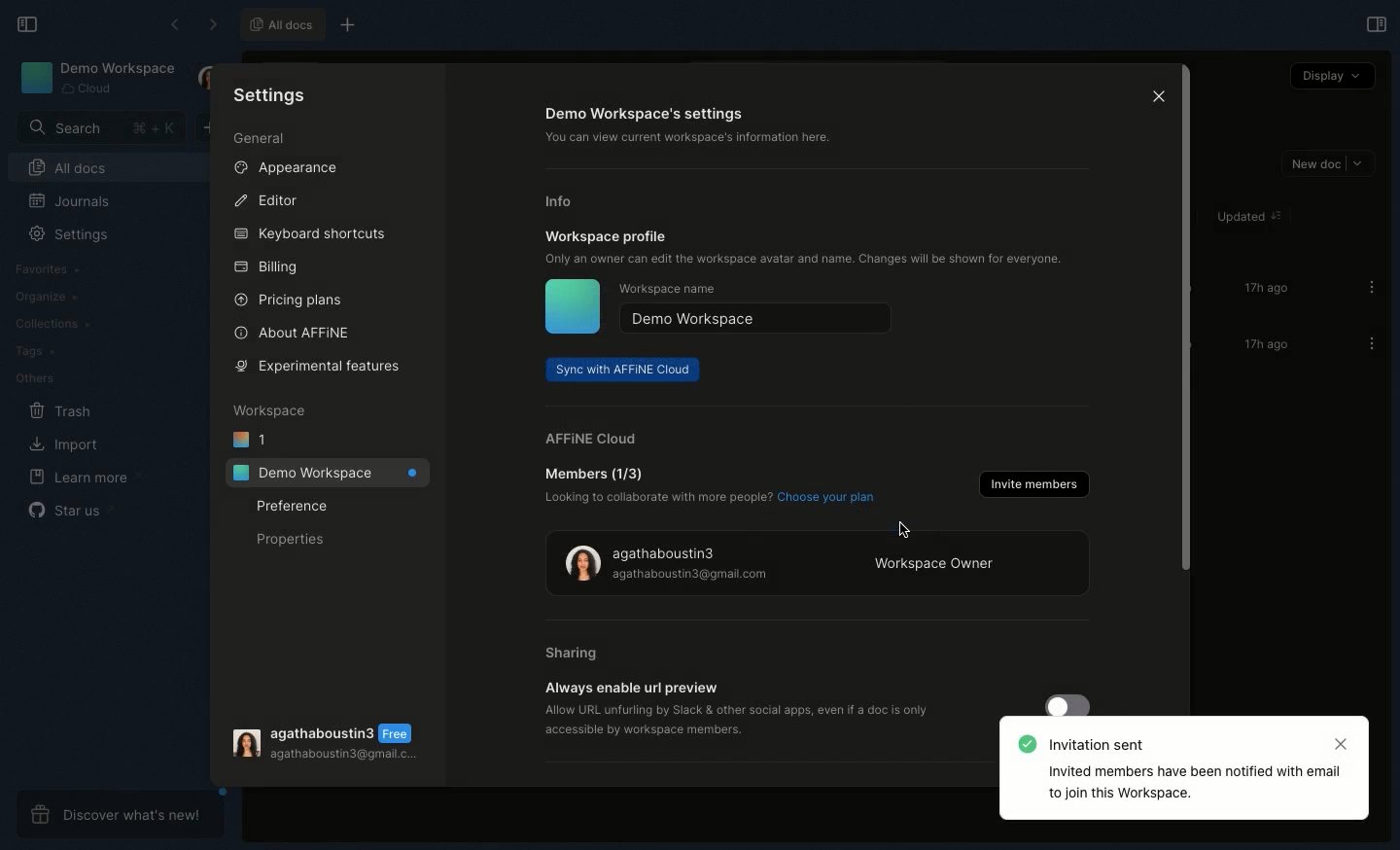  Describe the element at coordinates (636, 729) in the screenshot. I see `‘accessible by workspace members` at that location.